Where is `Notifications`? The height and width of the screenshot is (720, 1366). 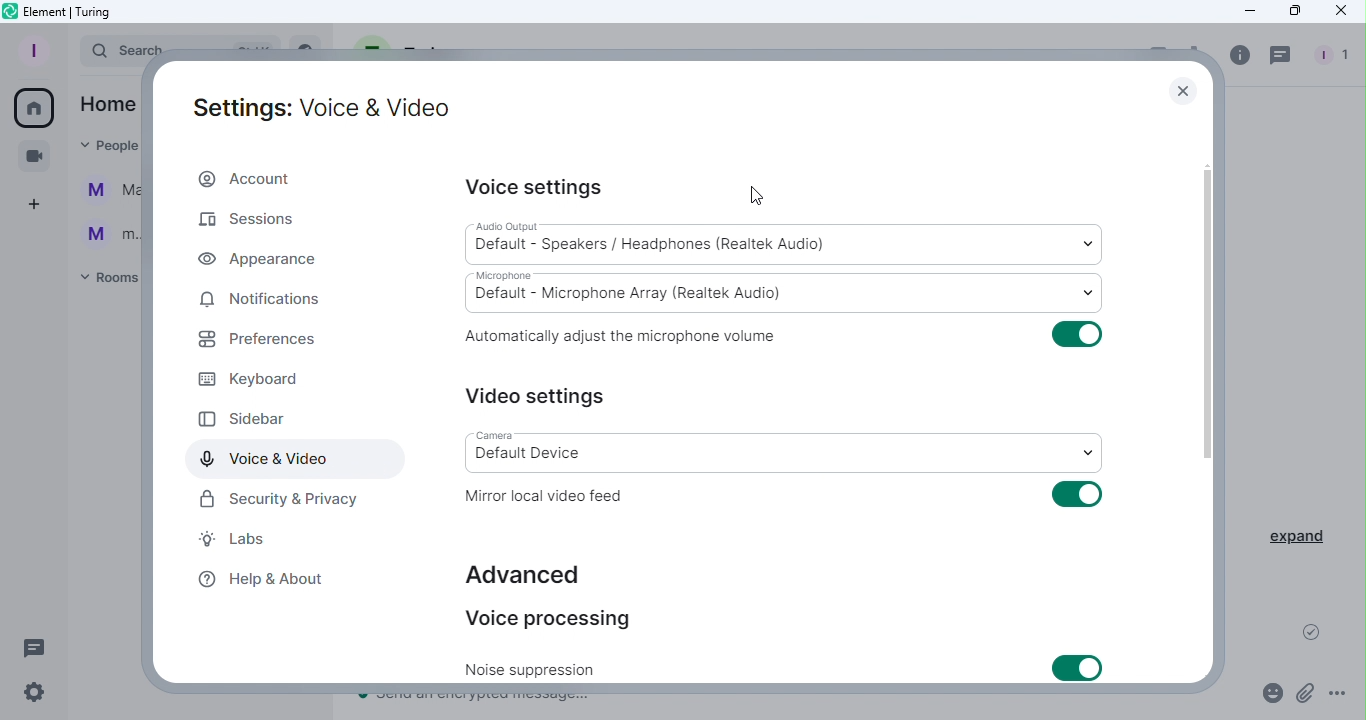 Notifications is located at coordinates (263, 301).